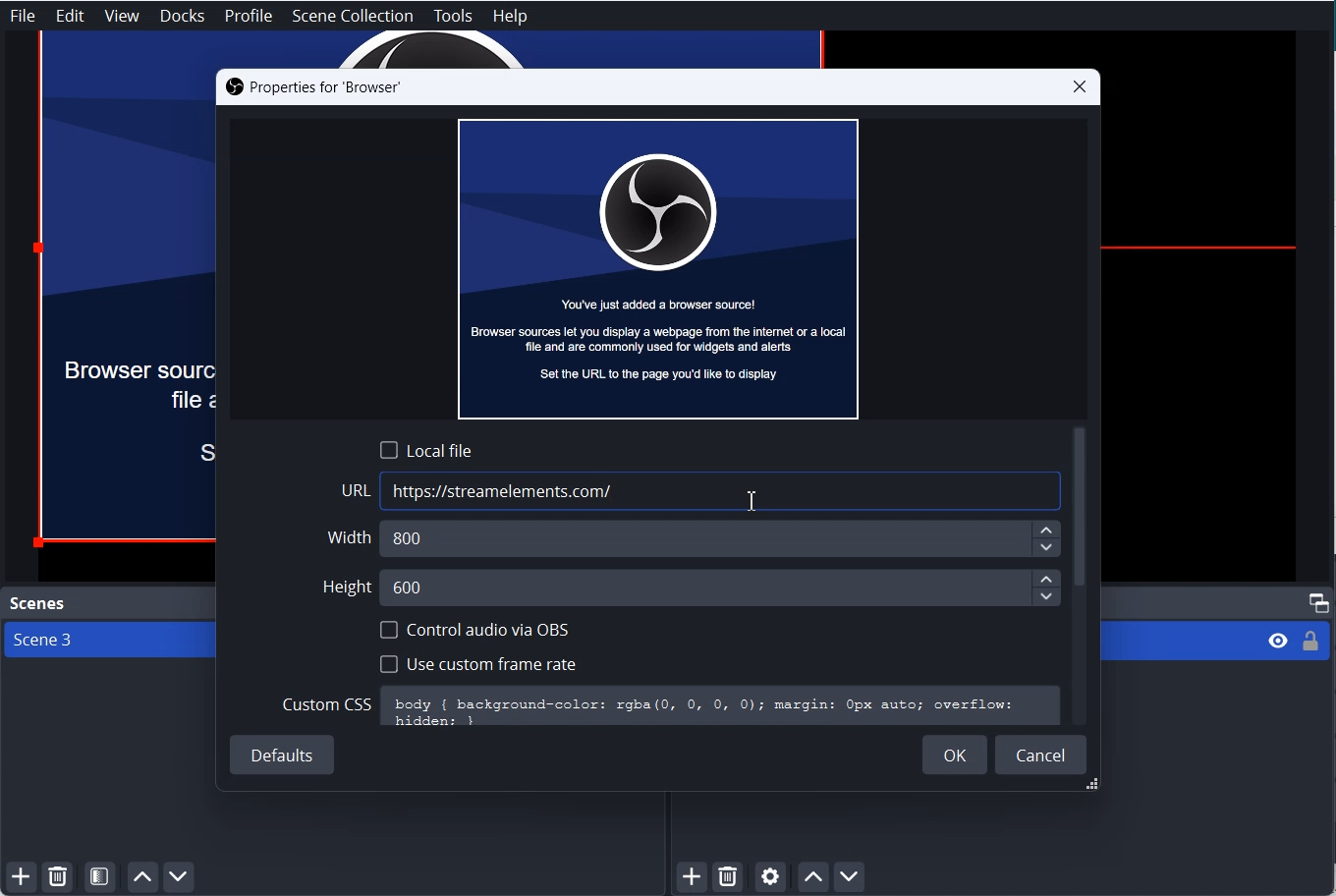 The image size is (1336, 896). I want to click on (un)check Local File, so click(426, 449).